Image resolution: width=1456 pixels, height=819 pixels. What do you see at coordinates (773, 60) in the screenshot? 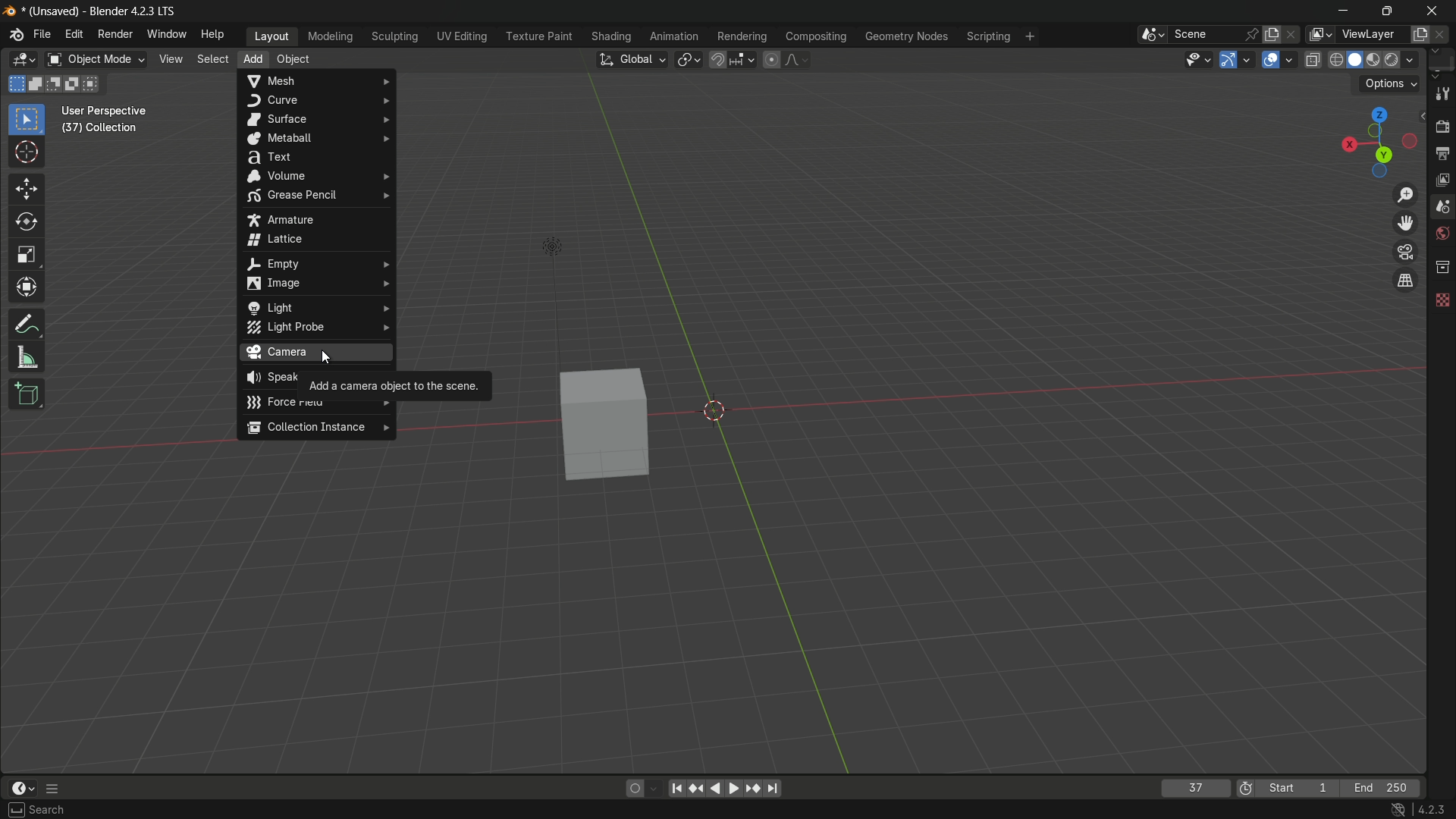
I see `proportional editing object` at bounding box center [773, 60].